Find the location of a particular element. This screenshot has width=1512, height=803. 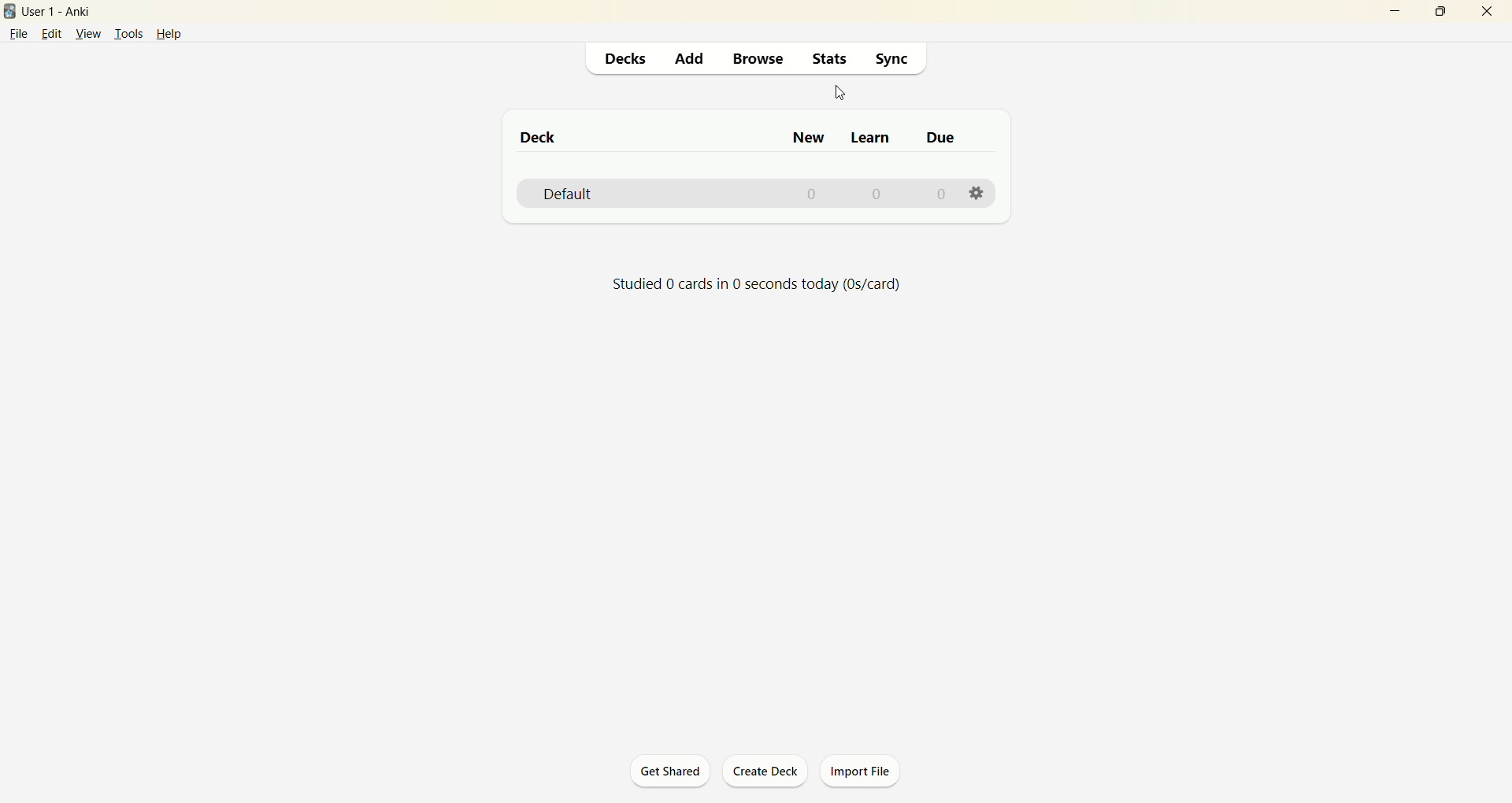

close is located at coordinates (1488, 13).